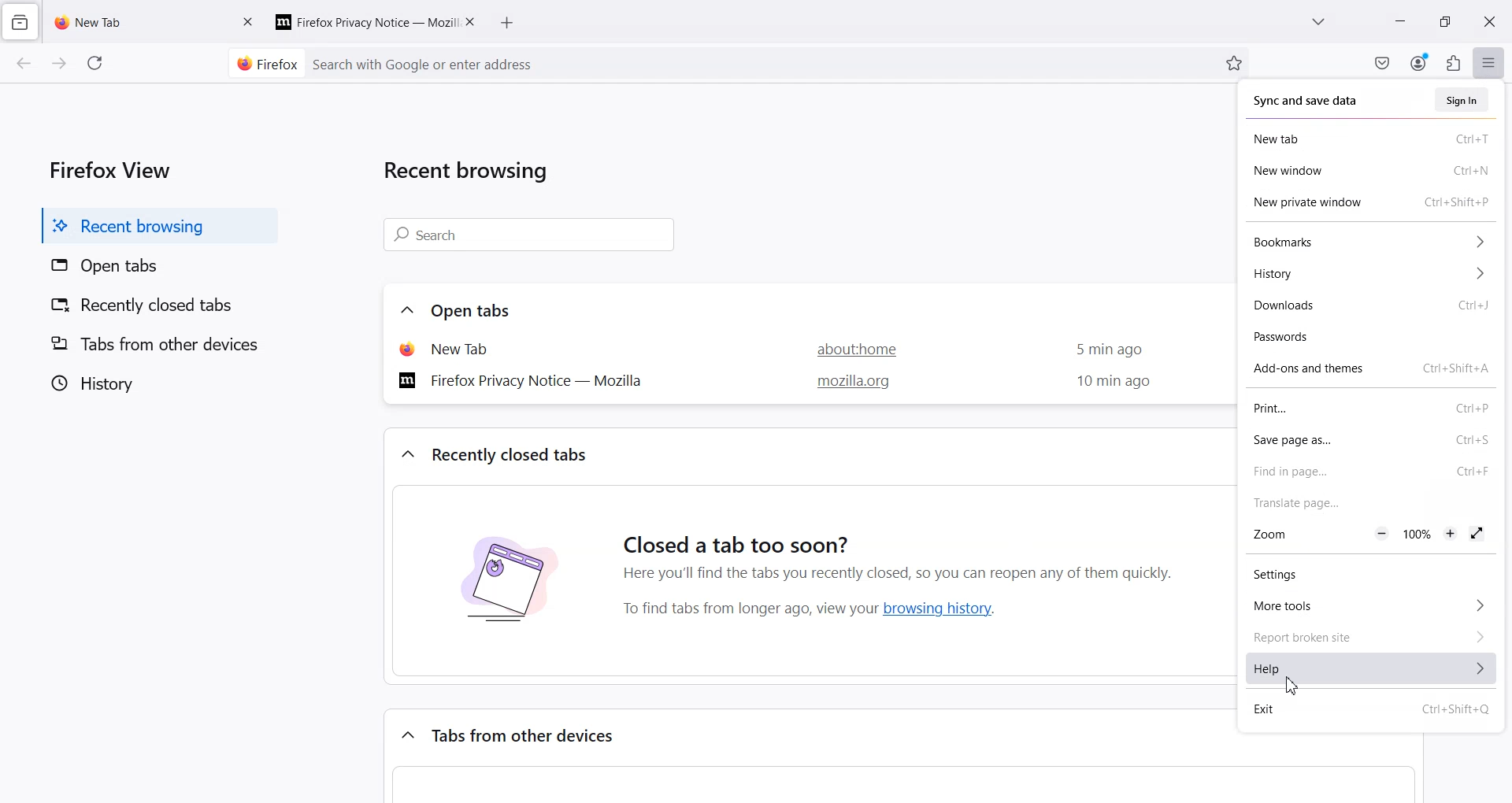 Image resolution: width=1512 pixels, height=803 pixels. Describe the element at coordinates (261, 63) in the screenshot. I see `firefox Logo ` at that location.